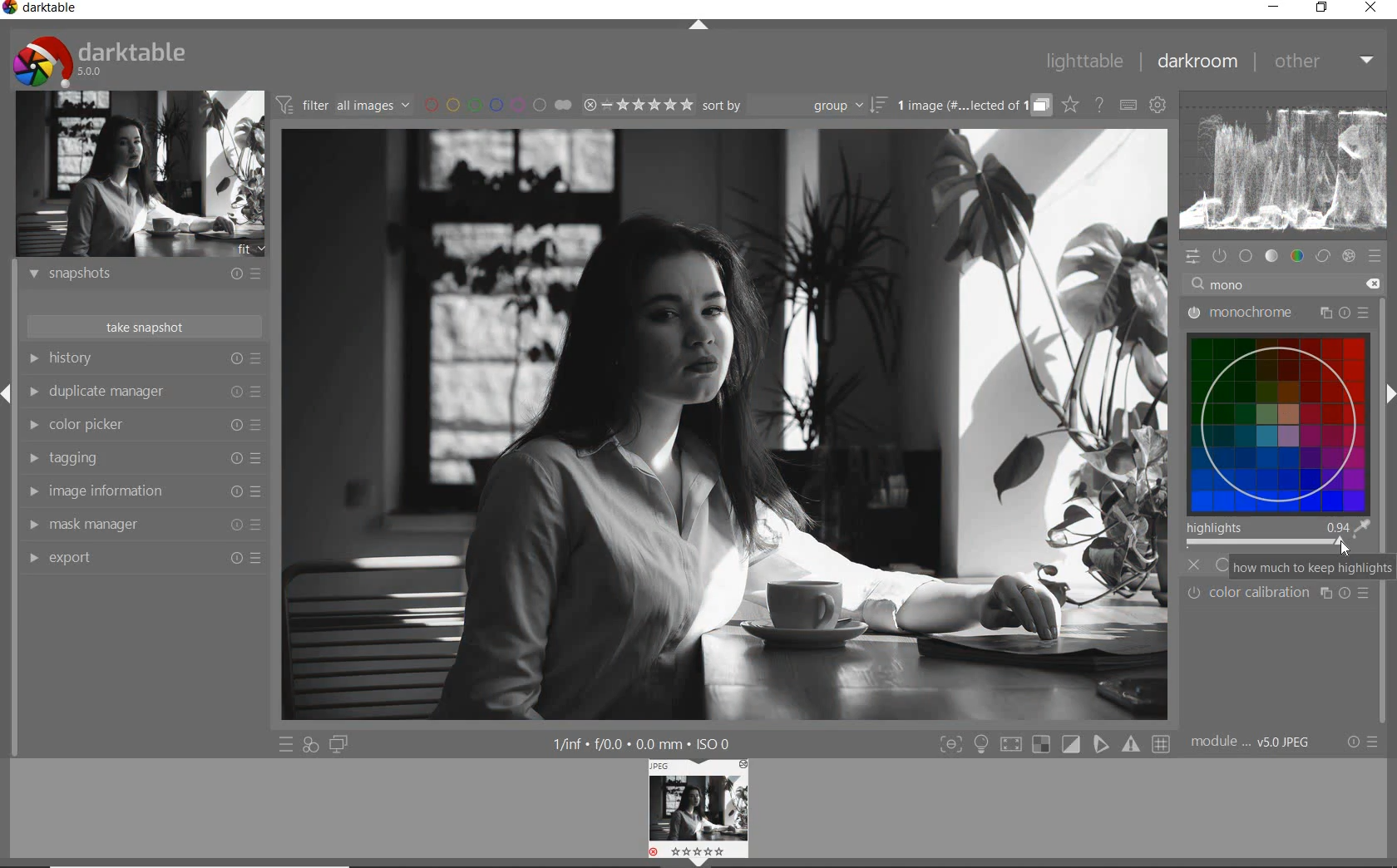  I want to click on Cursor, so click(1347, 547).